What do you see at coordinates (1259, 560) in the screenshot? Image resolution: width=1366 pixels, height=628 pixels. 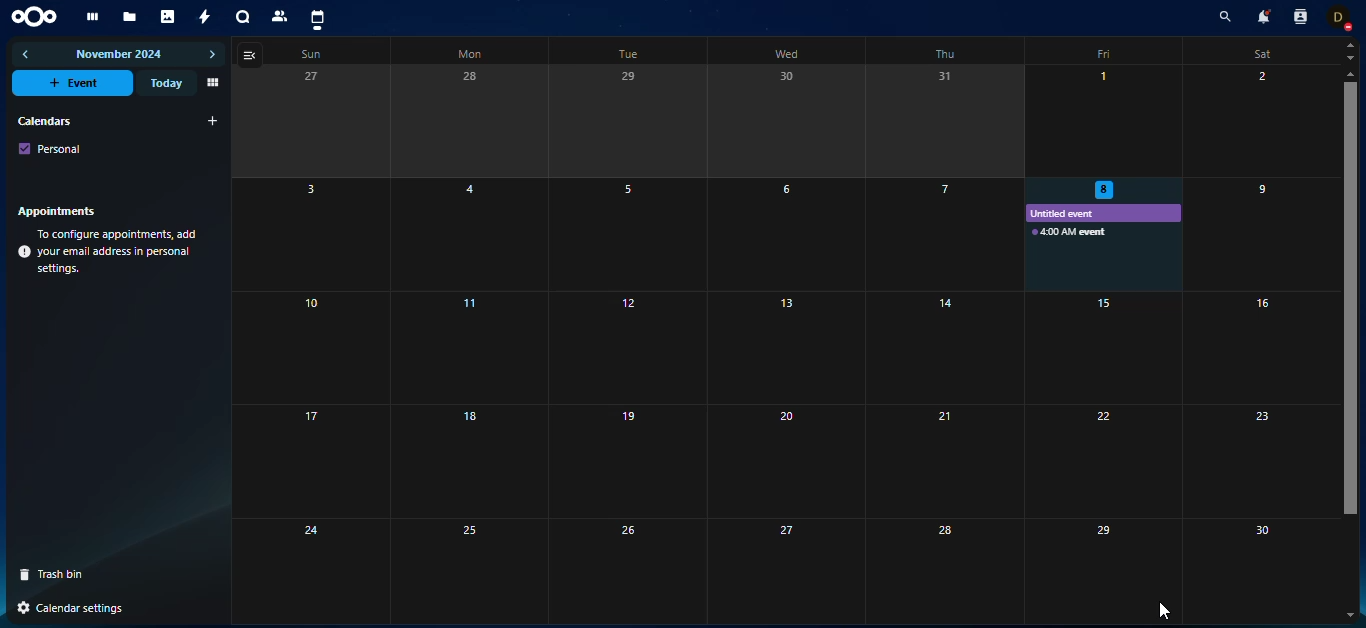 I see `30` at bounding box center [1259, 560].